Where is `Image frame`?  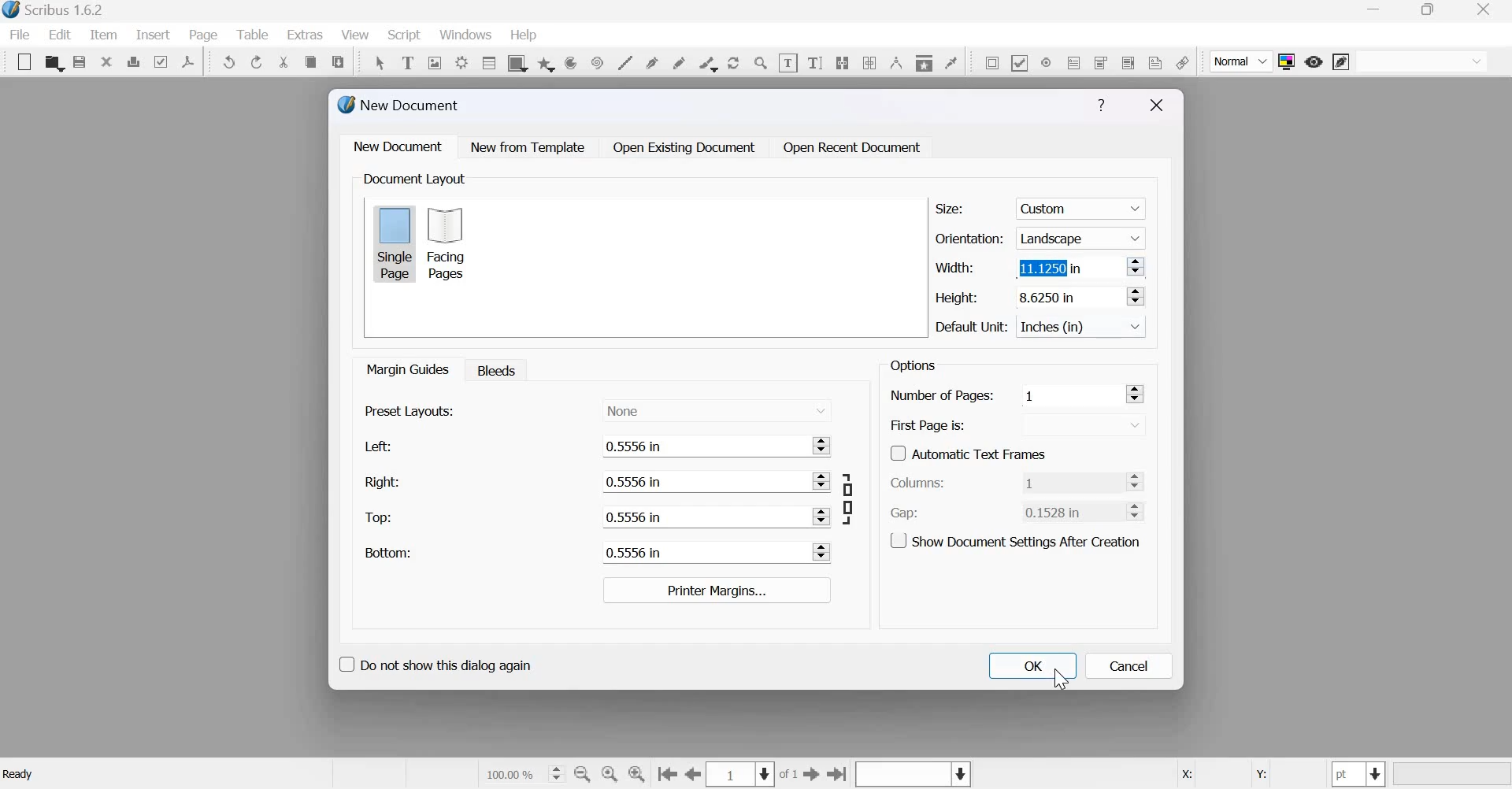
Image frame is located at coordinates (435, 61).